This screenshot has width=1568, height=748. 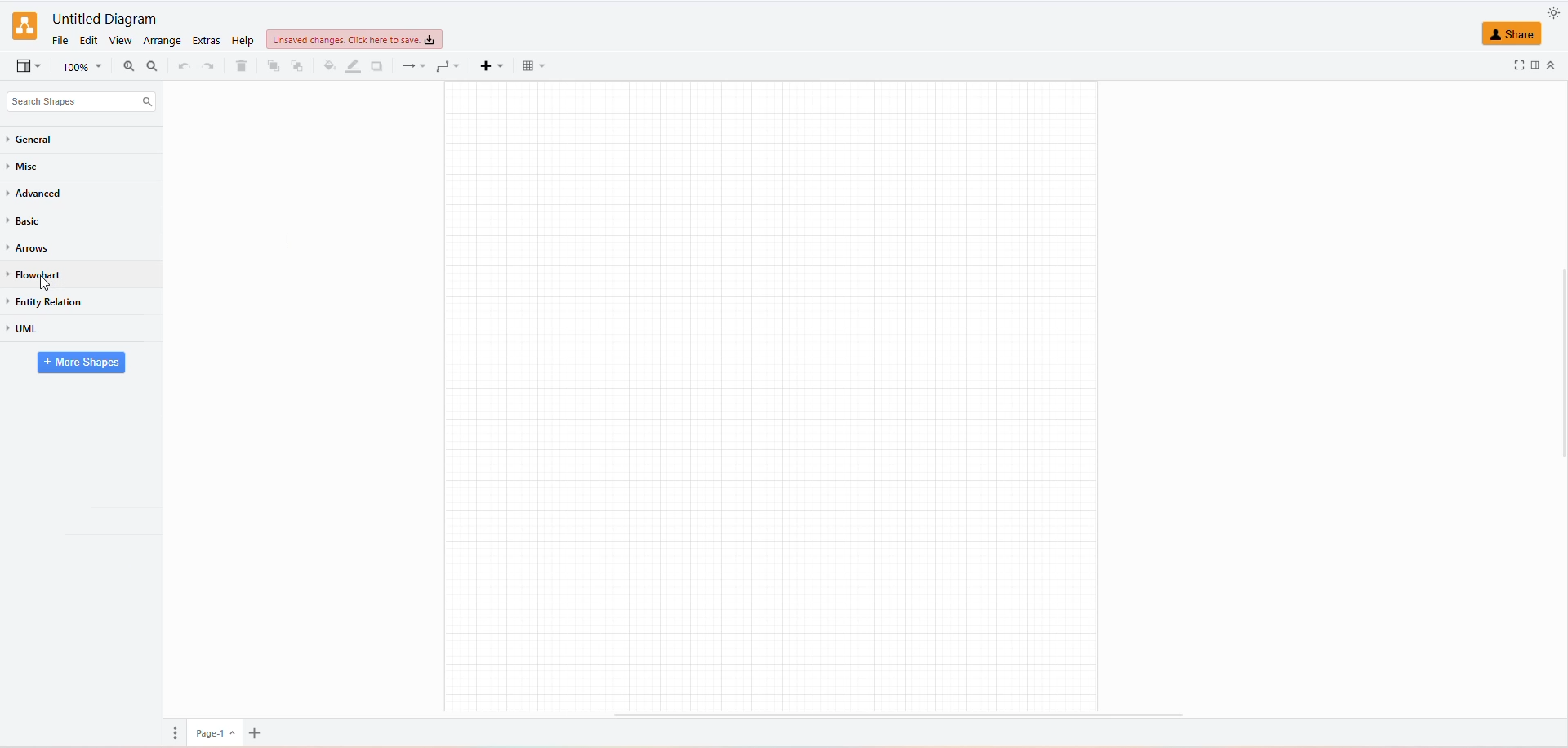 What do you see at coordinates (127, 67) in the screenshot?
I see `ZOOM IN ` at bounding box center [127, 67].